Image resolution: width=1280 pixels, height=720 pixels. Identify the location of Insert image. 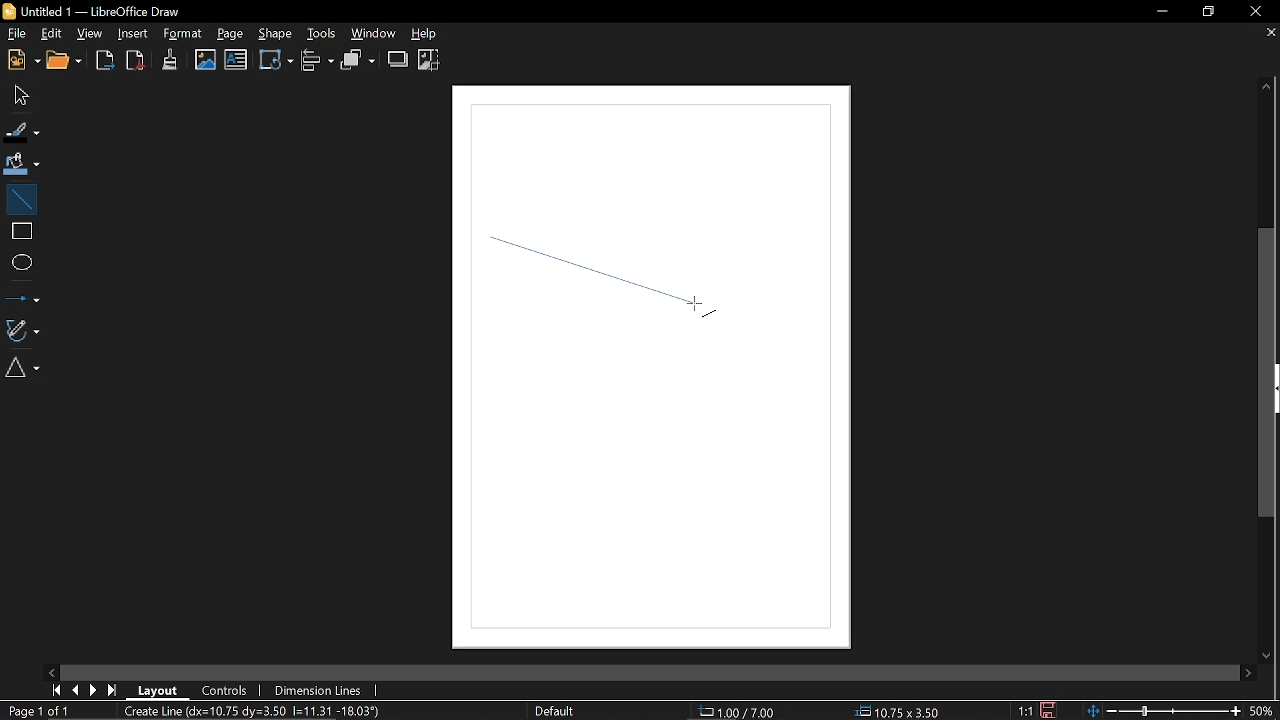
(206, 60).